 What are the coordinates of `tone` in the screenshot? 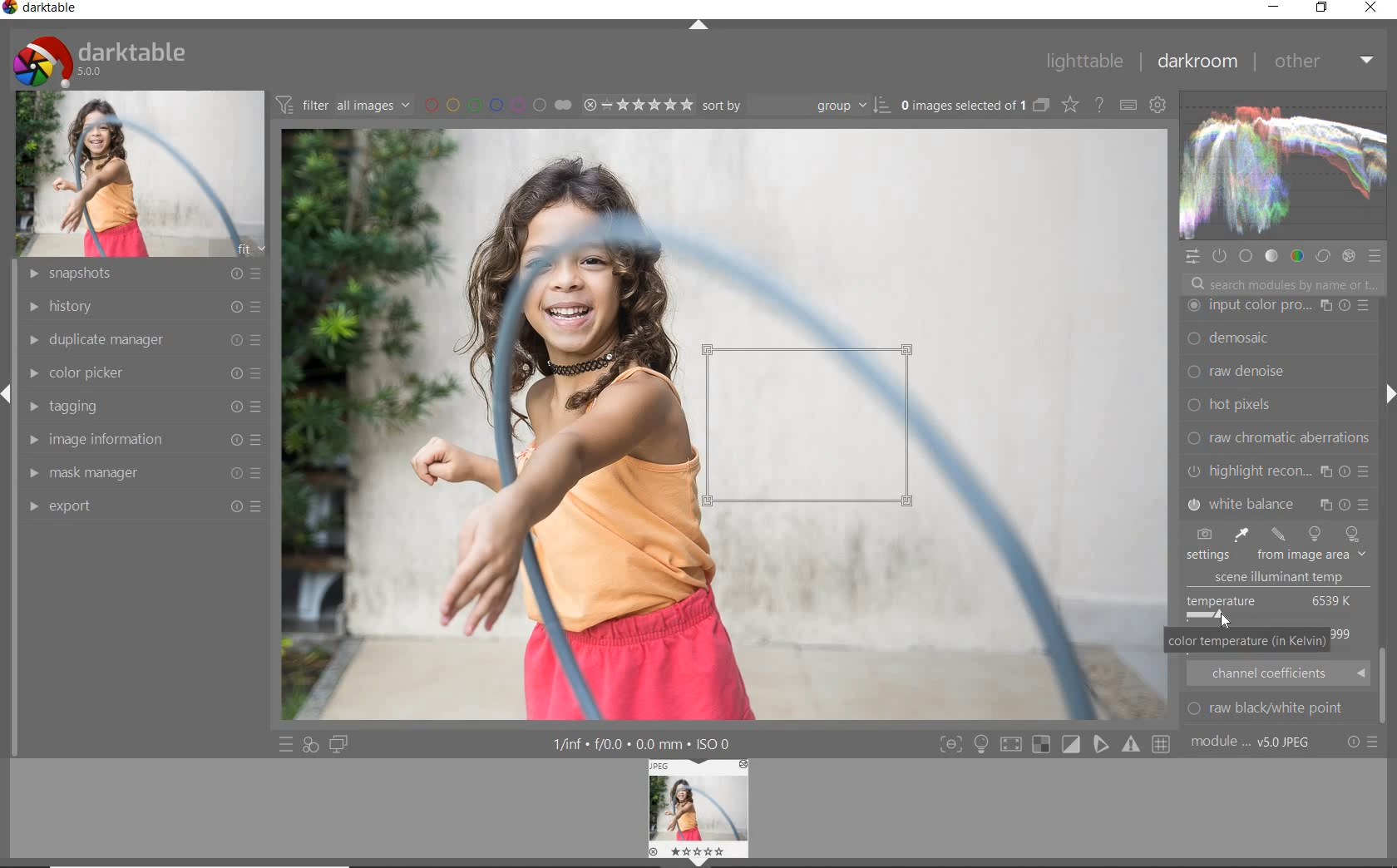 It's located at (1271, 255).